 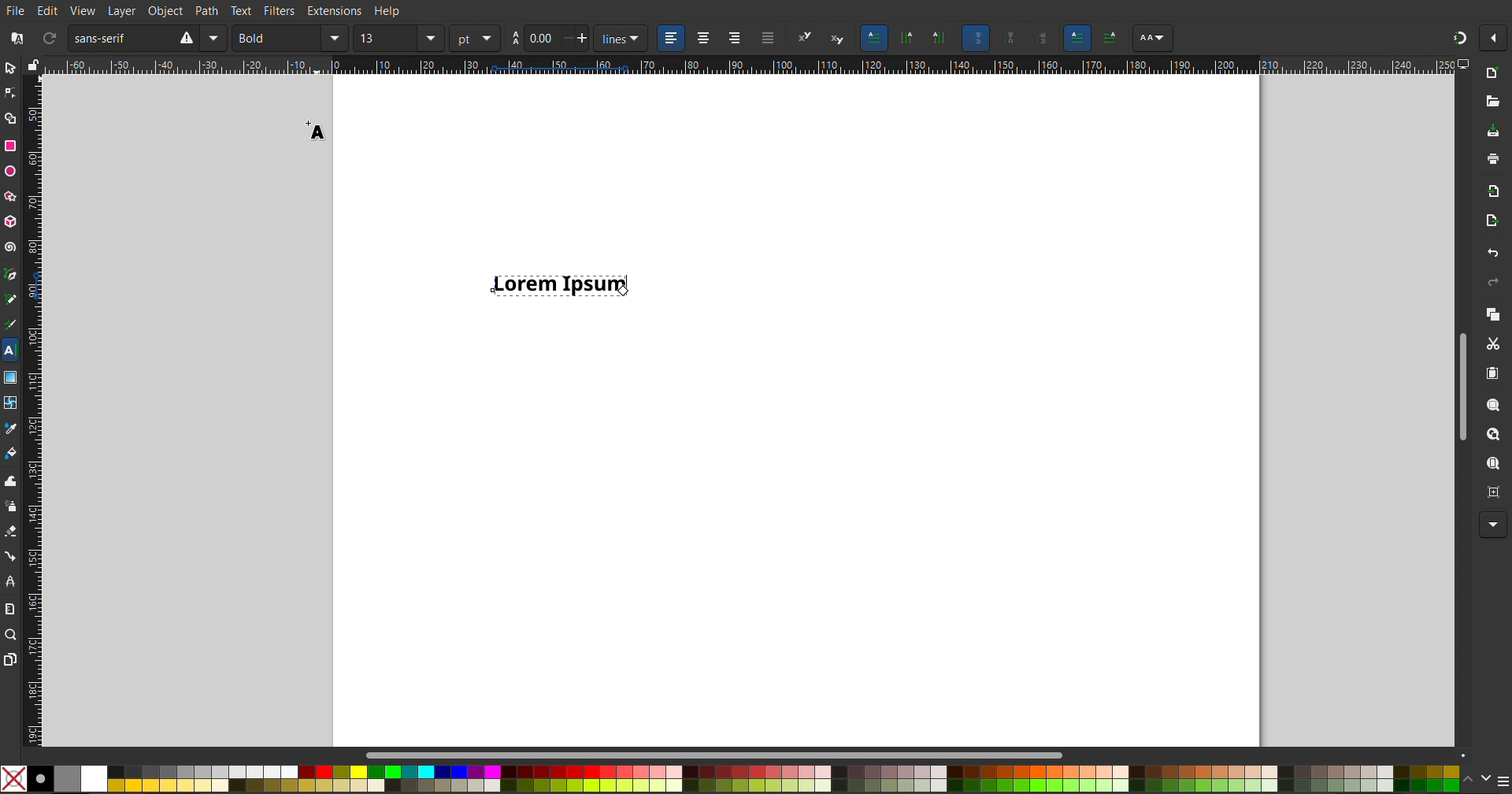 What do you see at coordinates (11, 171) in the screenshot?
I see `Ellipse` at bounding box center [11, 171].